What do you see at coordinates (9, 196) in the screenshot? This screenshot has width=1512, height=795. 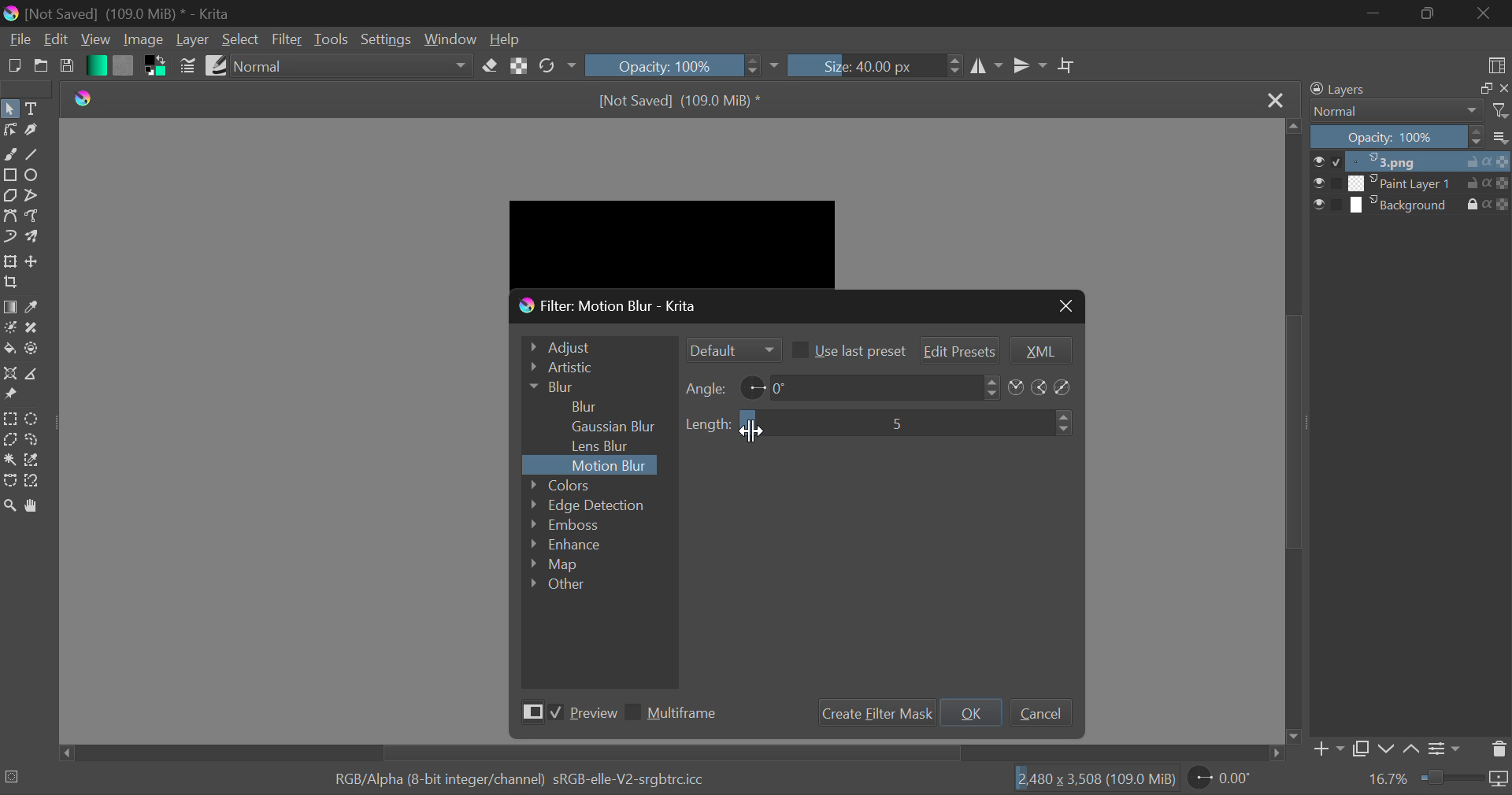 I see `Polygons` at bounding box center [9, 196].